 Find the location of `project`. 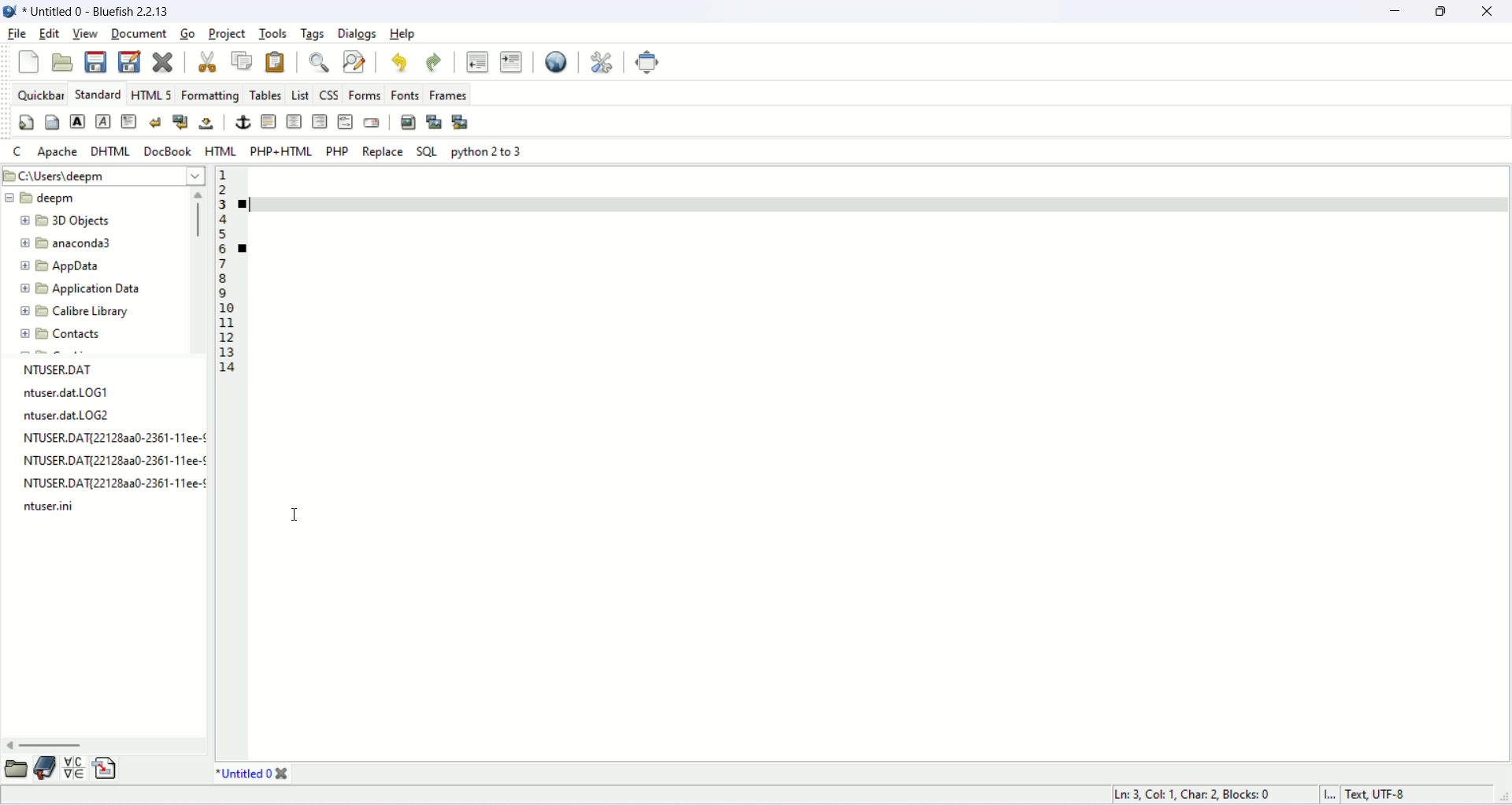

project is located at coordinates (227, 34).